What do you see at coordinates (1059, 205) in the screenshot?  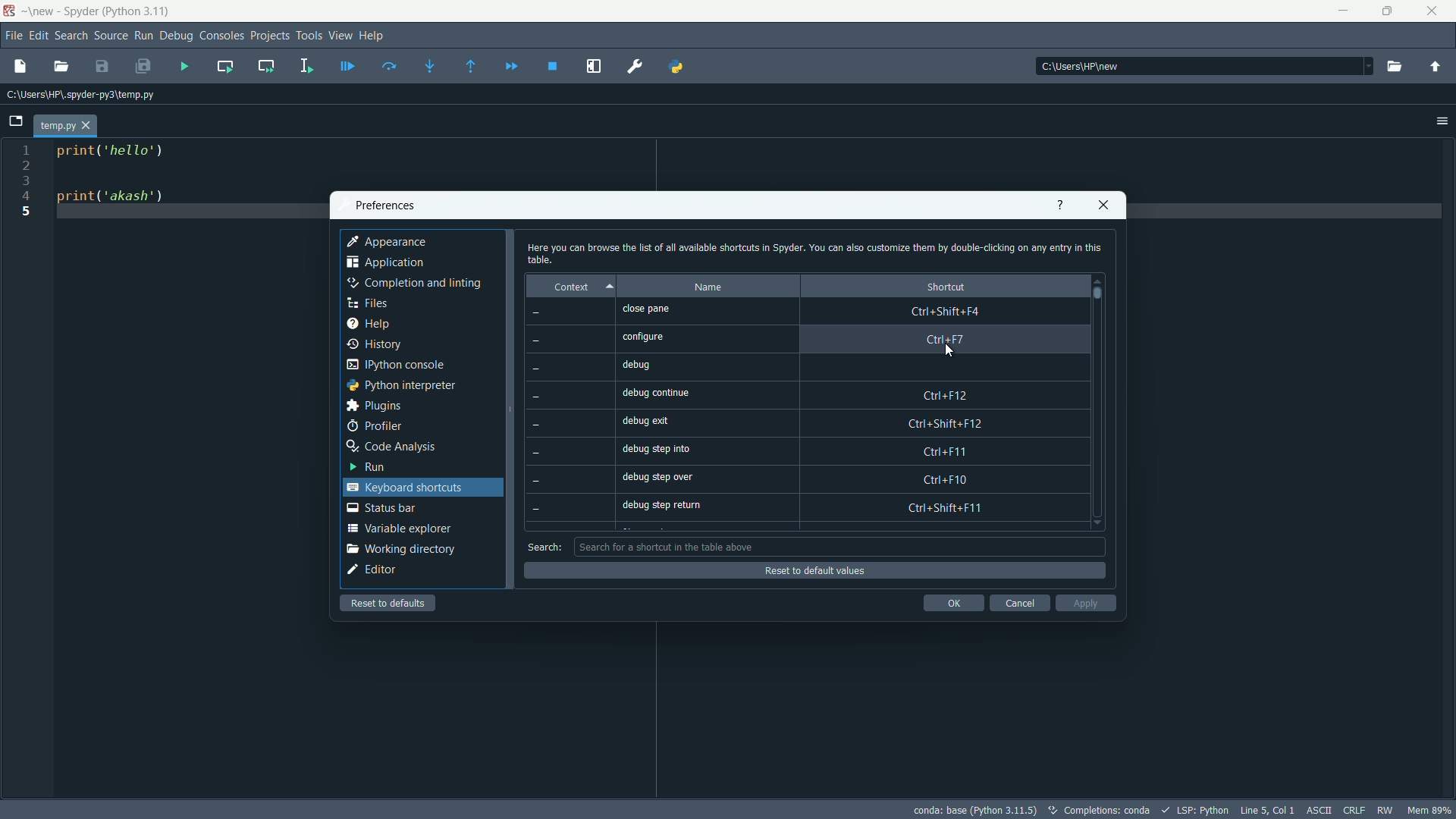 I see `get help` at bounding box center [1059, 205].